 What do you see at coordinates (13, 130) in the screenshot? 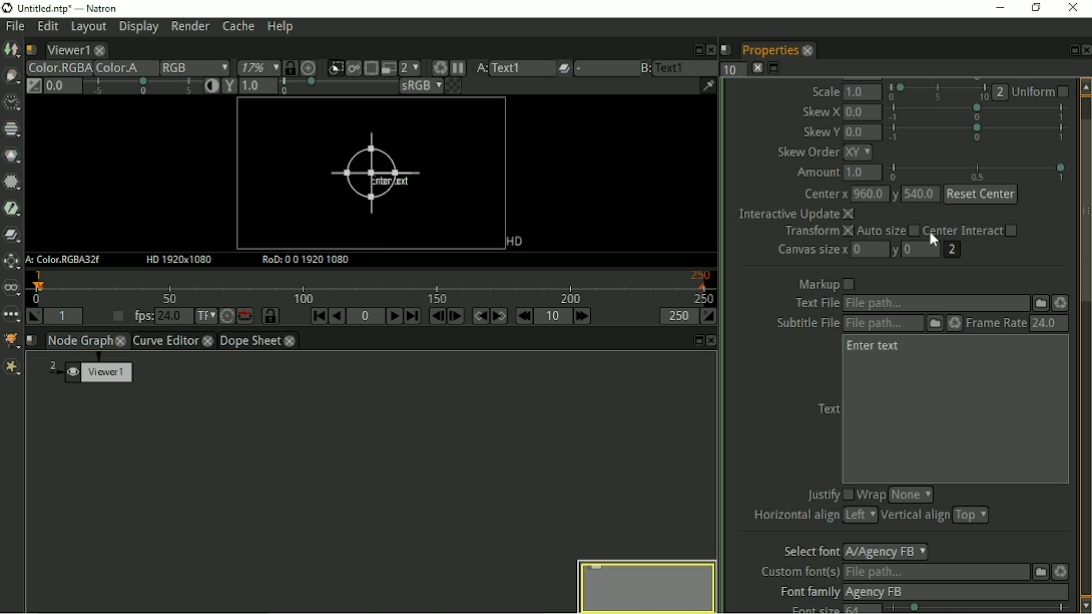
I see `` at bounding box center [13, 130].